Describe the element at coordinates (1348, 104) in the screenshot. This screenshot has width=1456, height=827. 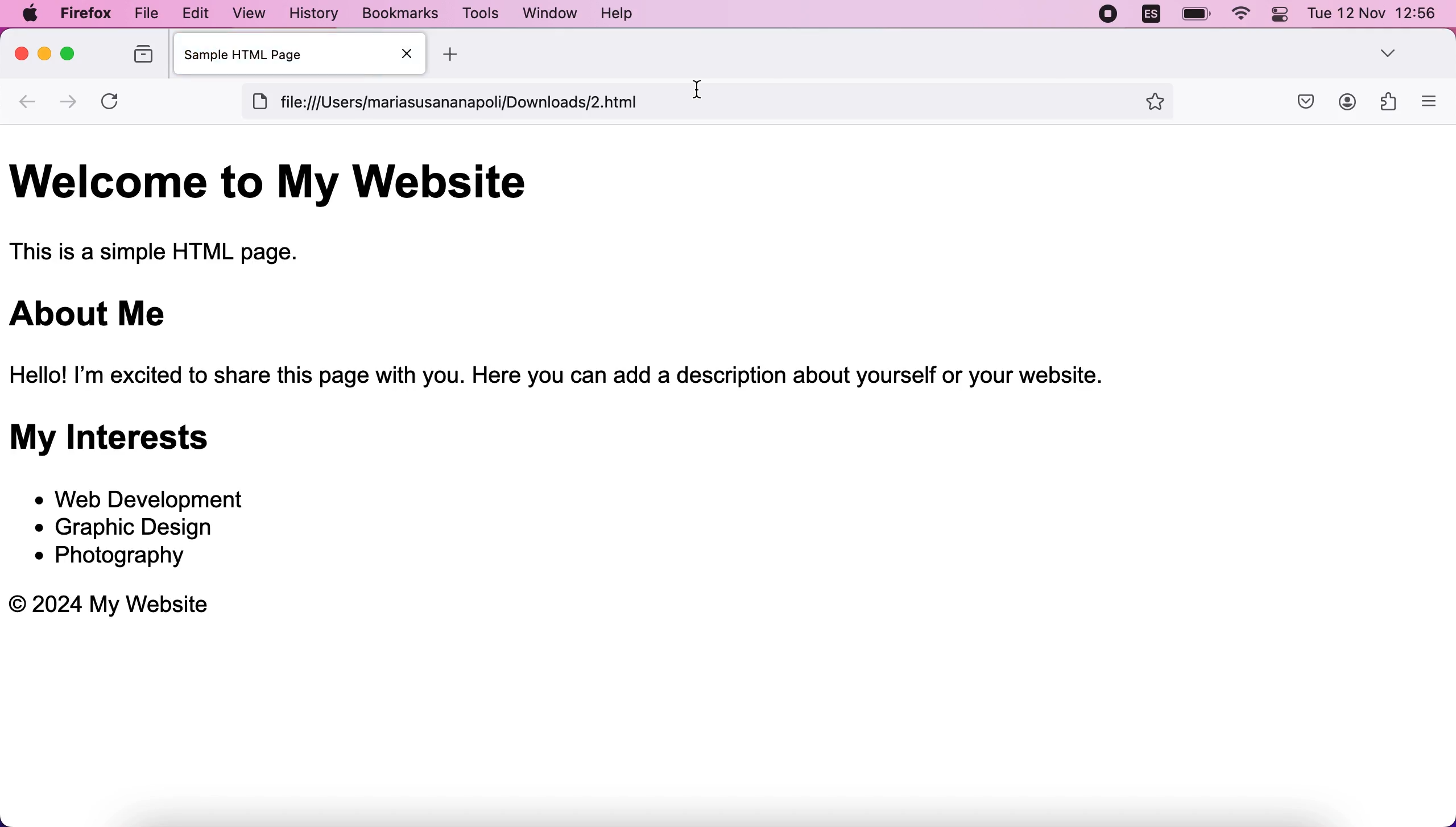
I see `accounts` at that location.